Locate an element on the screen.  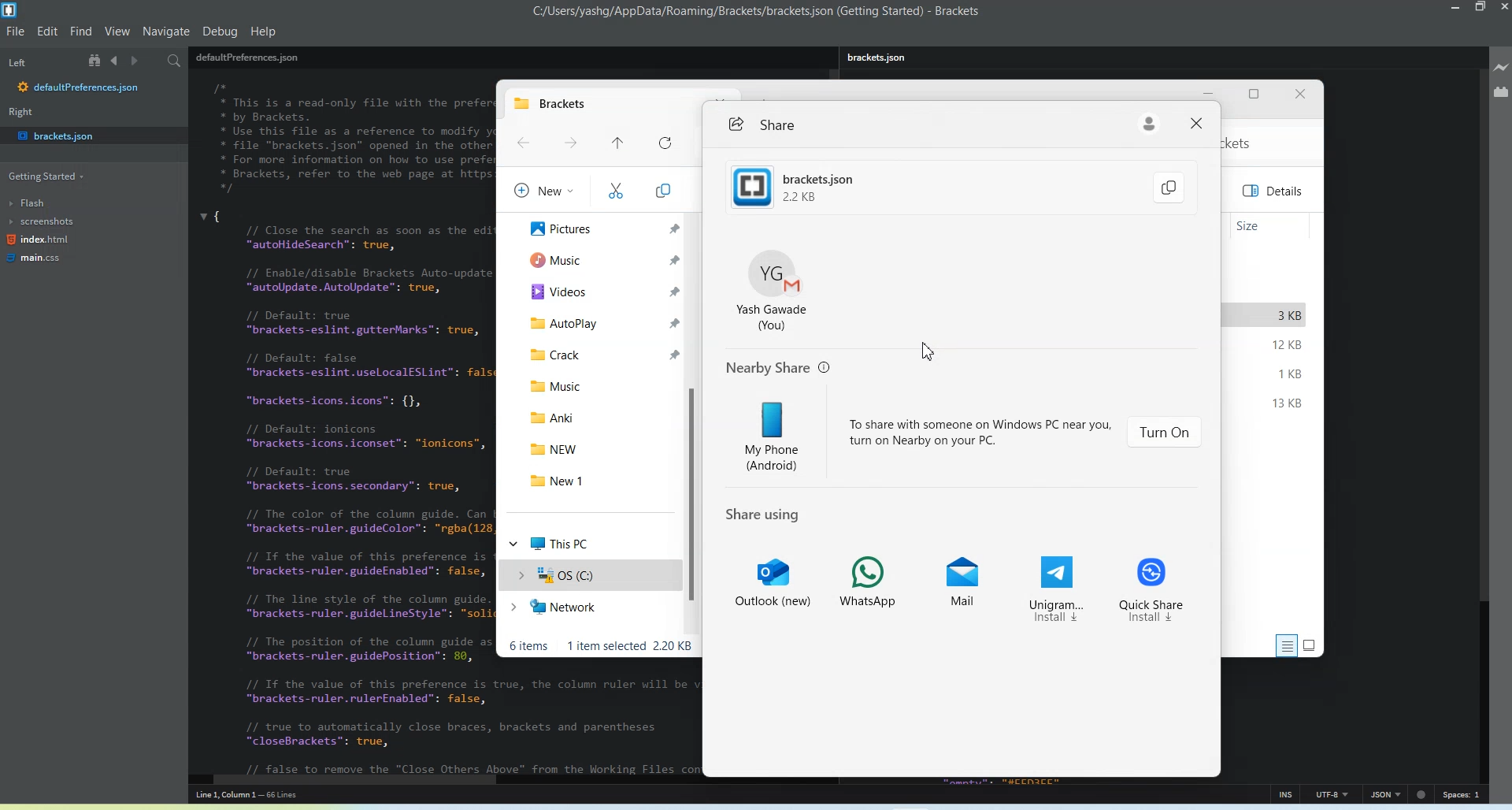
New is located at coordinates (542, 189).